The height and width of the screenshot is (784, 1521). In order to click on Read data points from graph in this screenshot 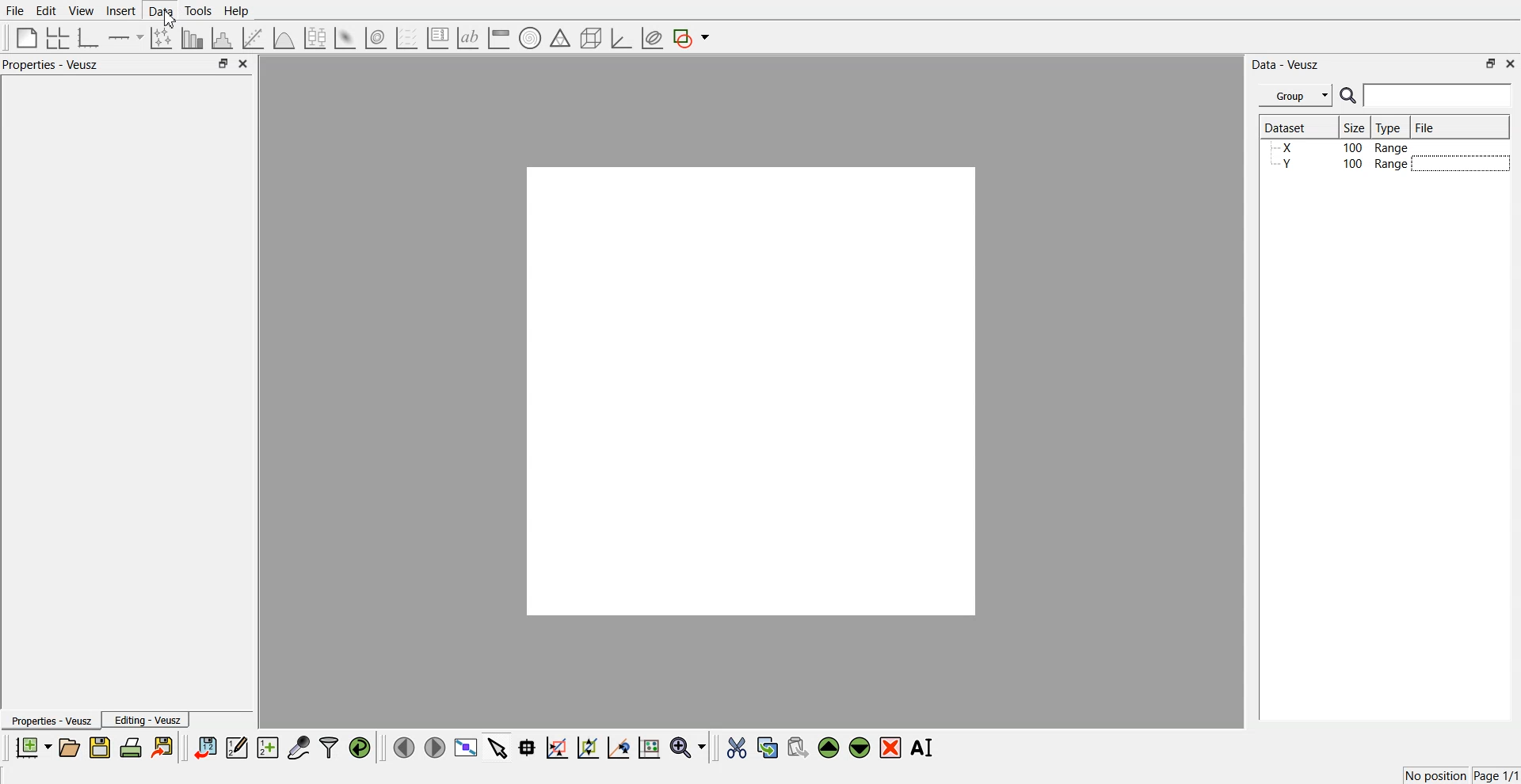, I will do `click(528, 747)`.